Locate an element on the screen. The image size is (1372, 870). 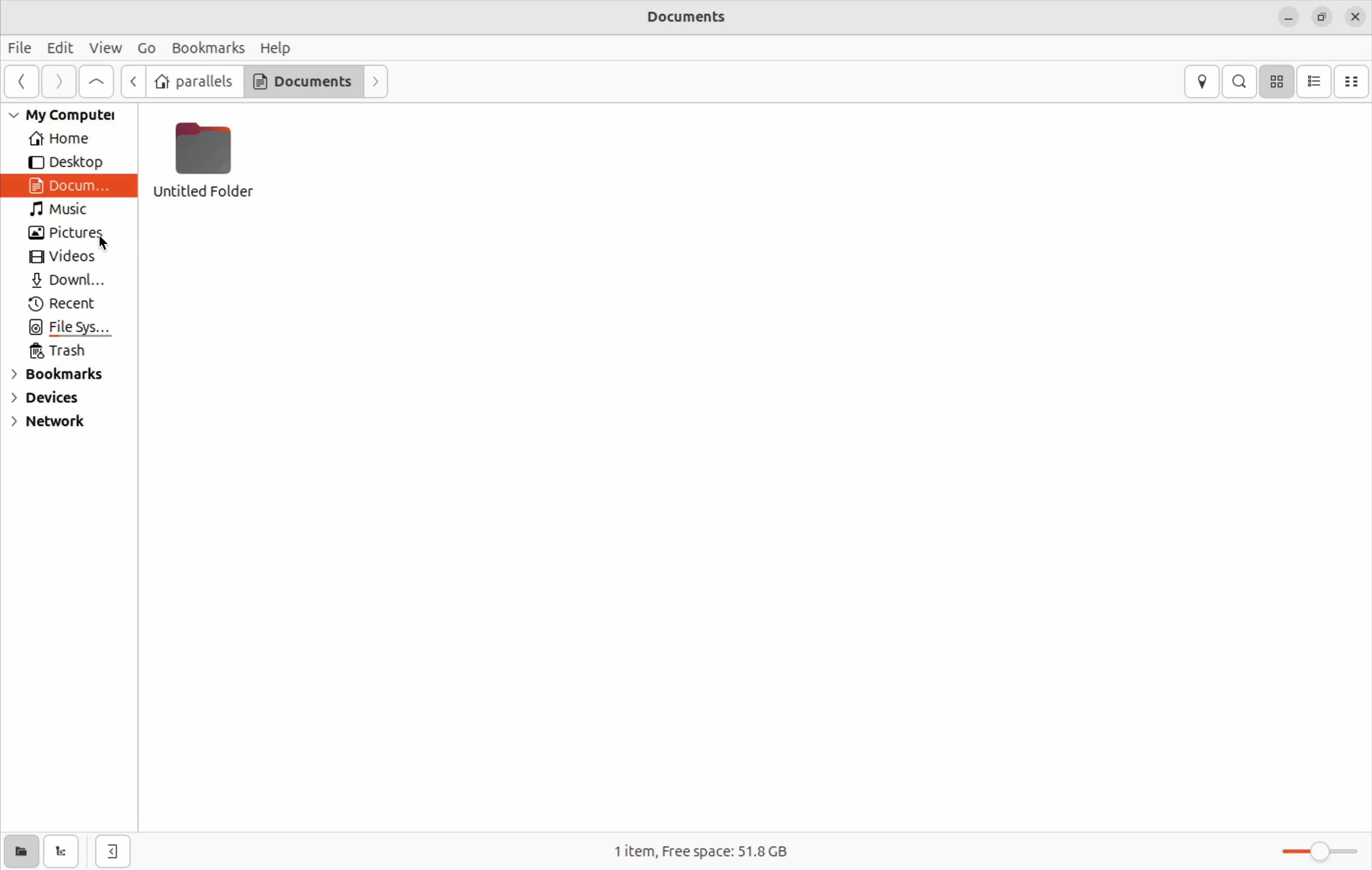
show places is located at coordinates (19, 853).